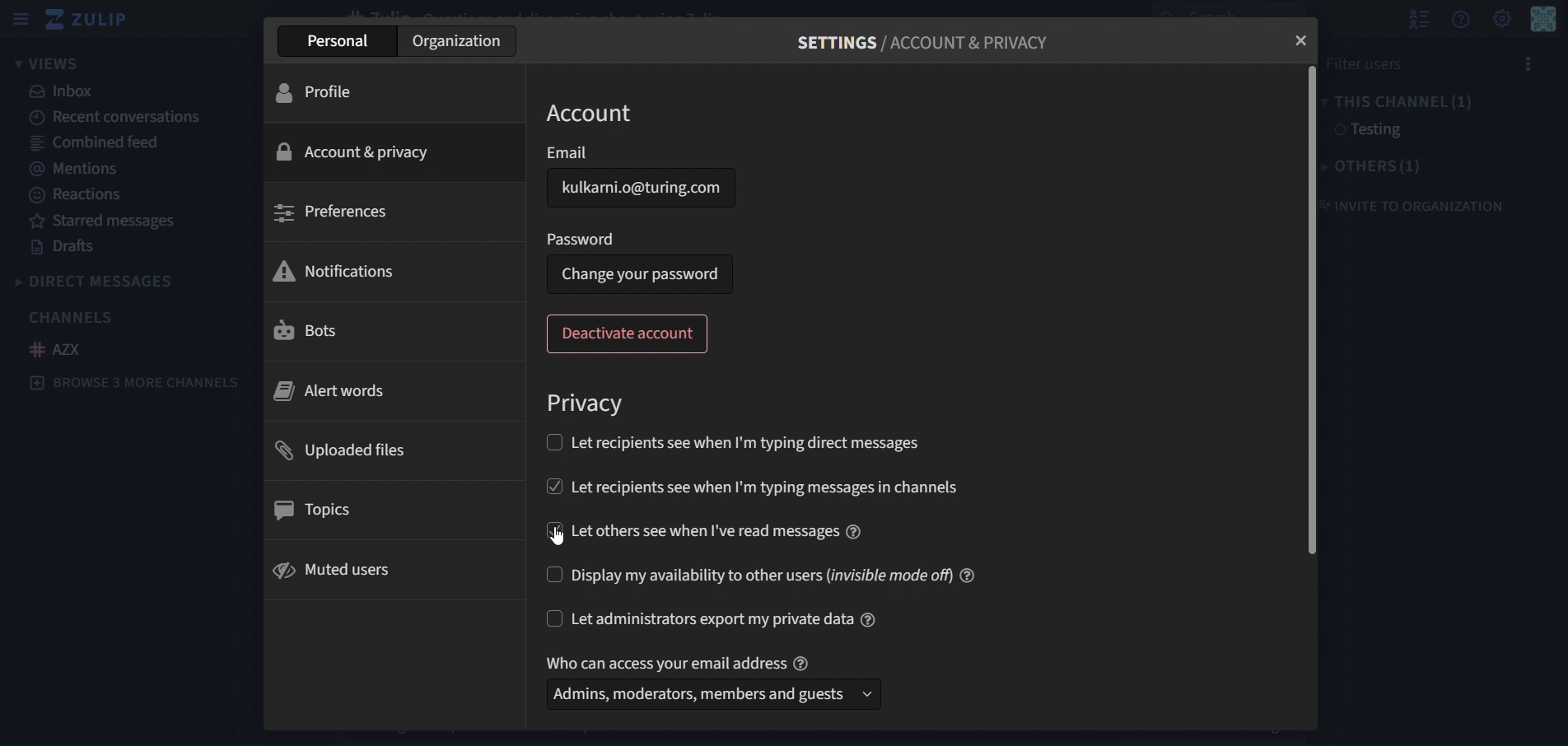 This screenshot has height=746, width=1568. I want to click on check box, so click(551, 576).